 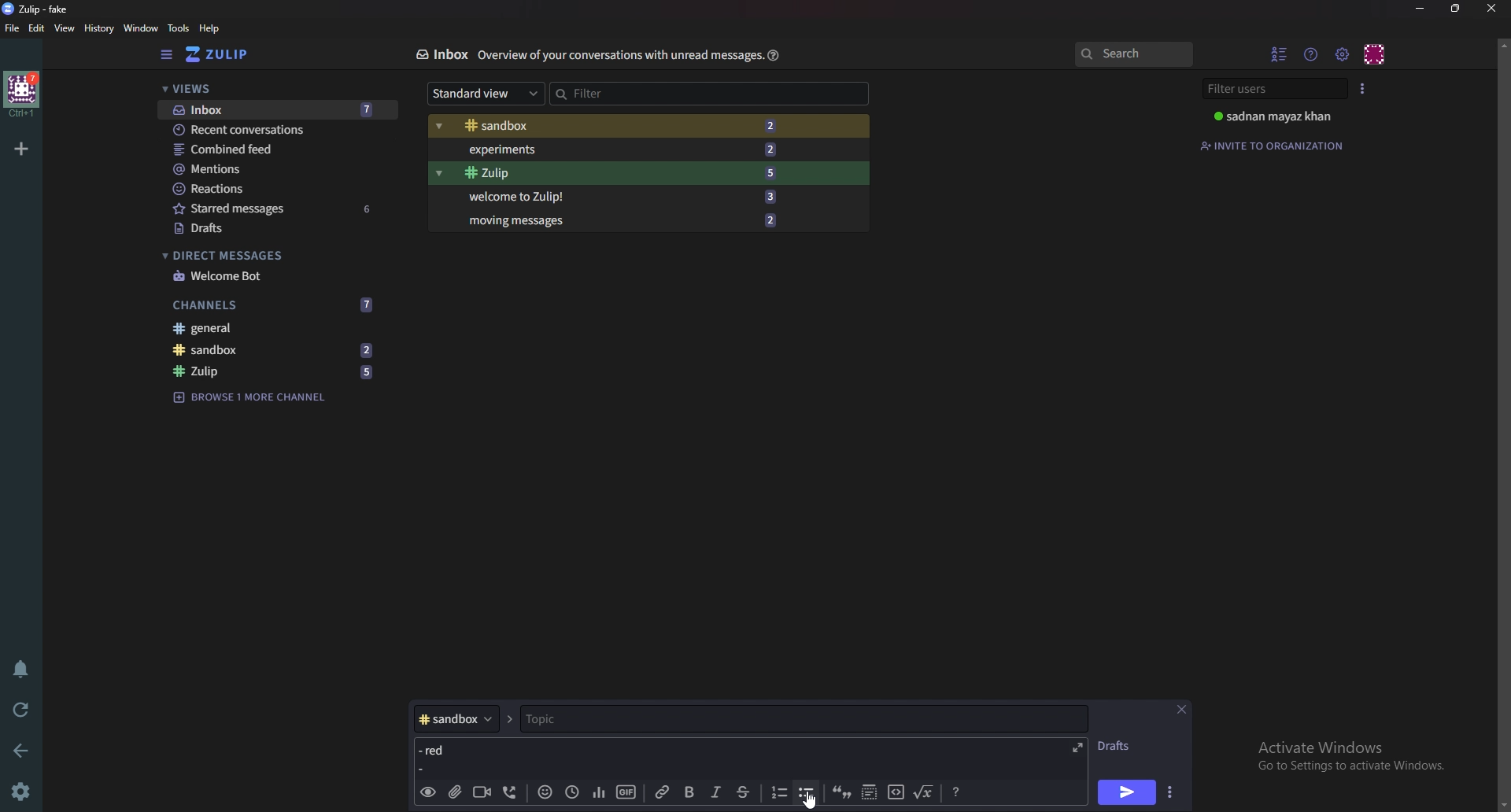 I want to click on Help menu, so click(x=1312, y=54).